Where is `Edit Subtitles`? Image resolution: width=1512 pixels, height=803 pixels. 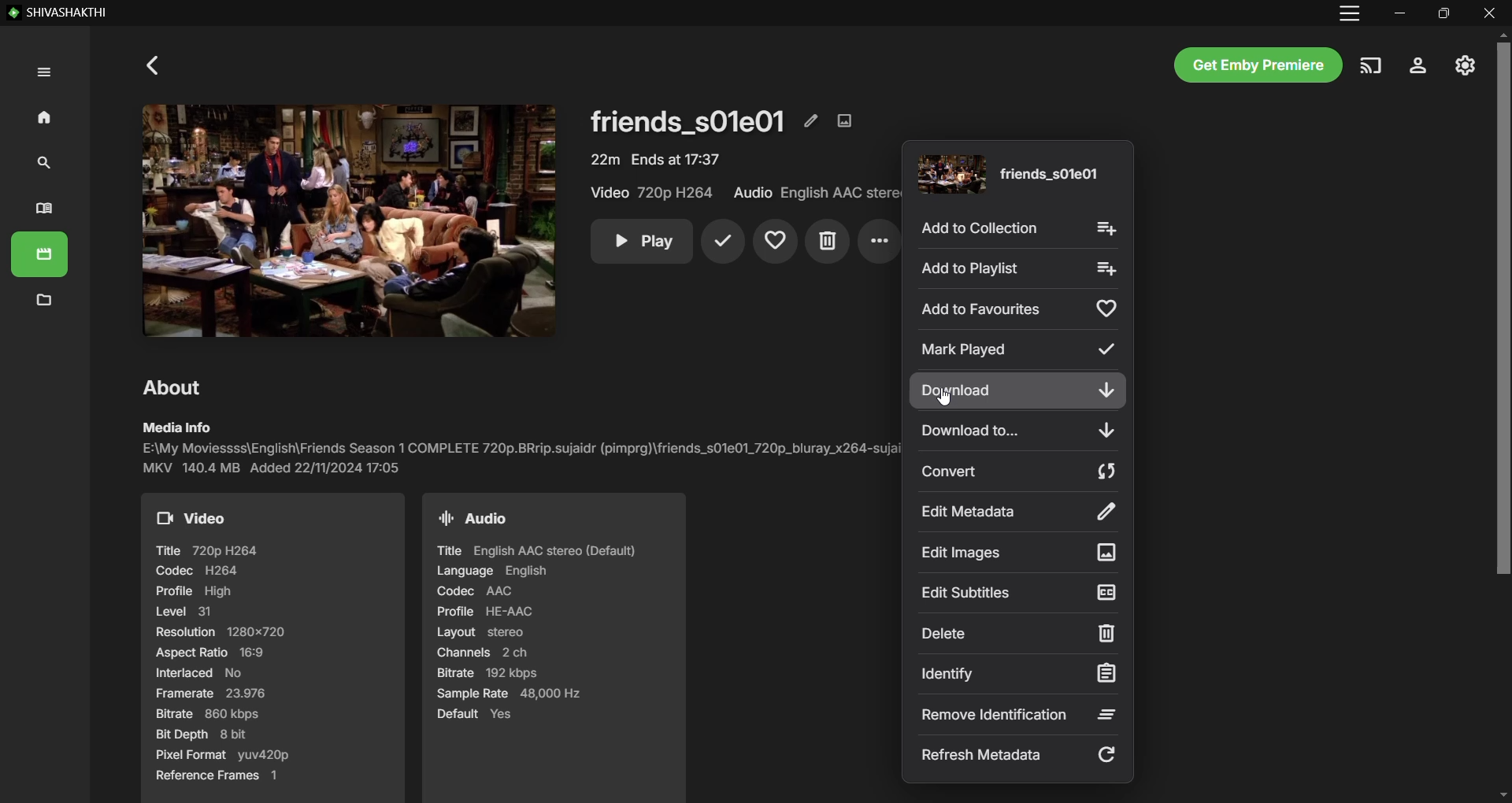
Edit Subtitles is located at coordinates (1020, 593).